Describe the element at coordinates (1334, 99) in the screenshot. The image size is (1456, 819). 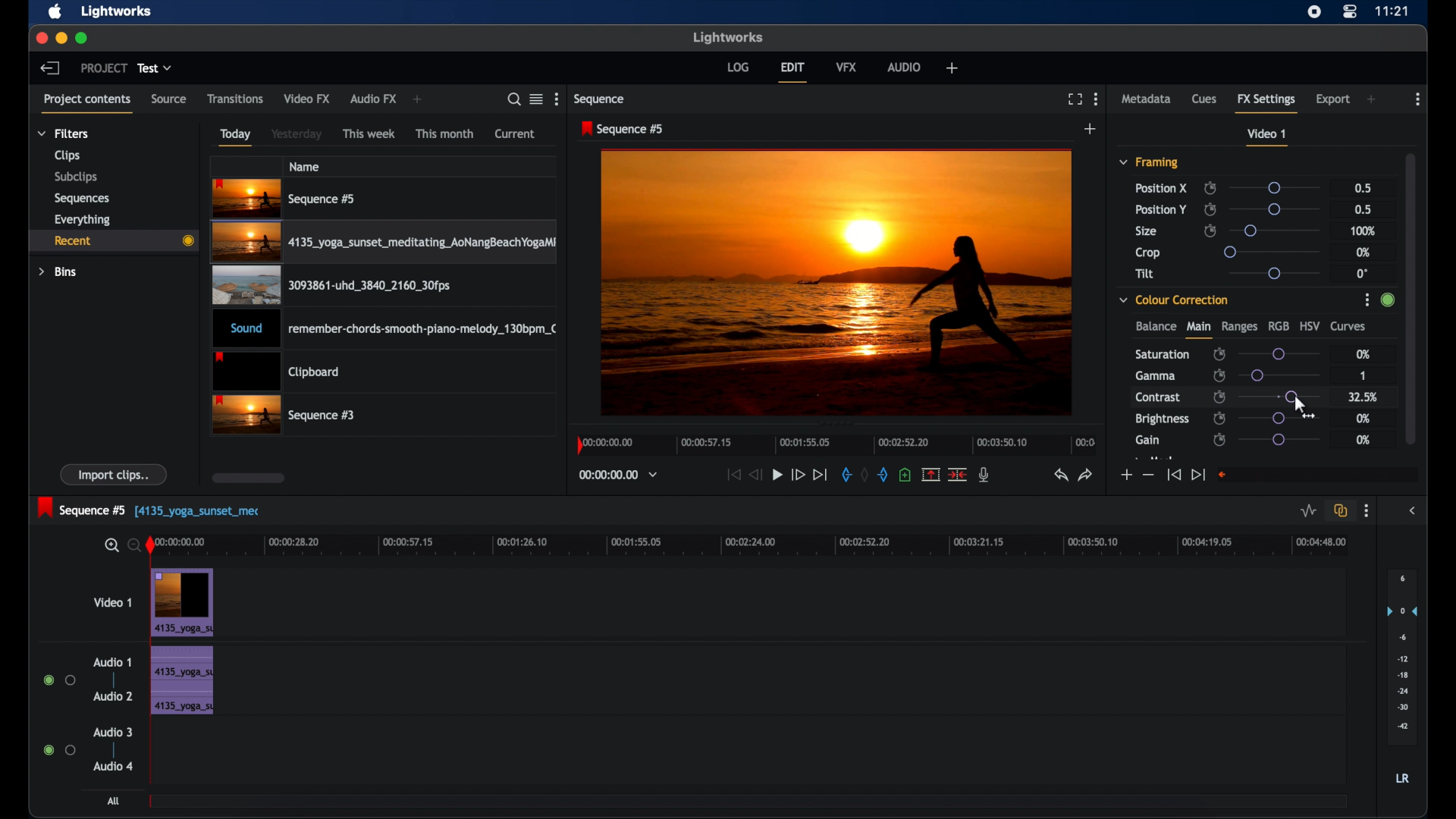
I see `export` at that location.